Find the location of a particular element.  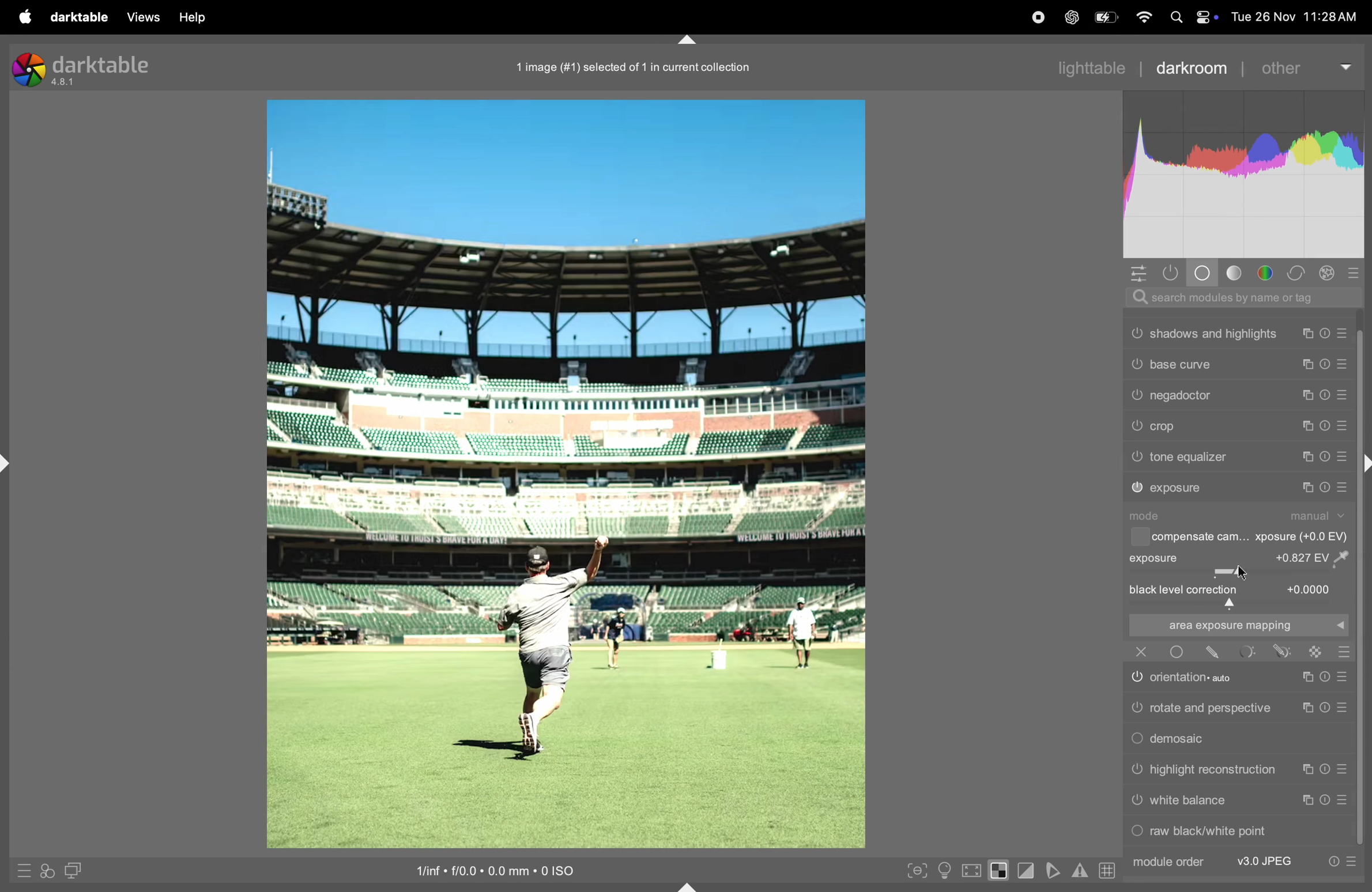

Preset is located at coordinates (1345, 800).